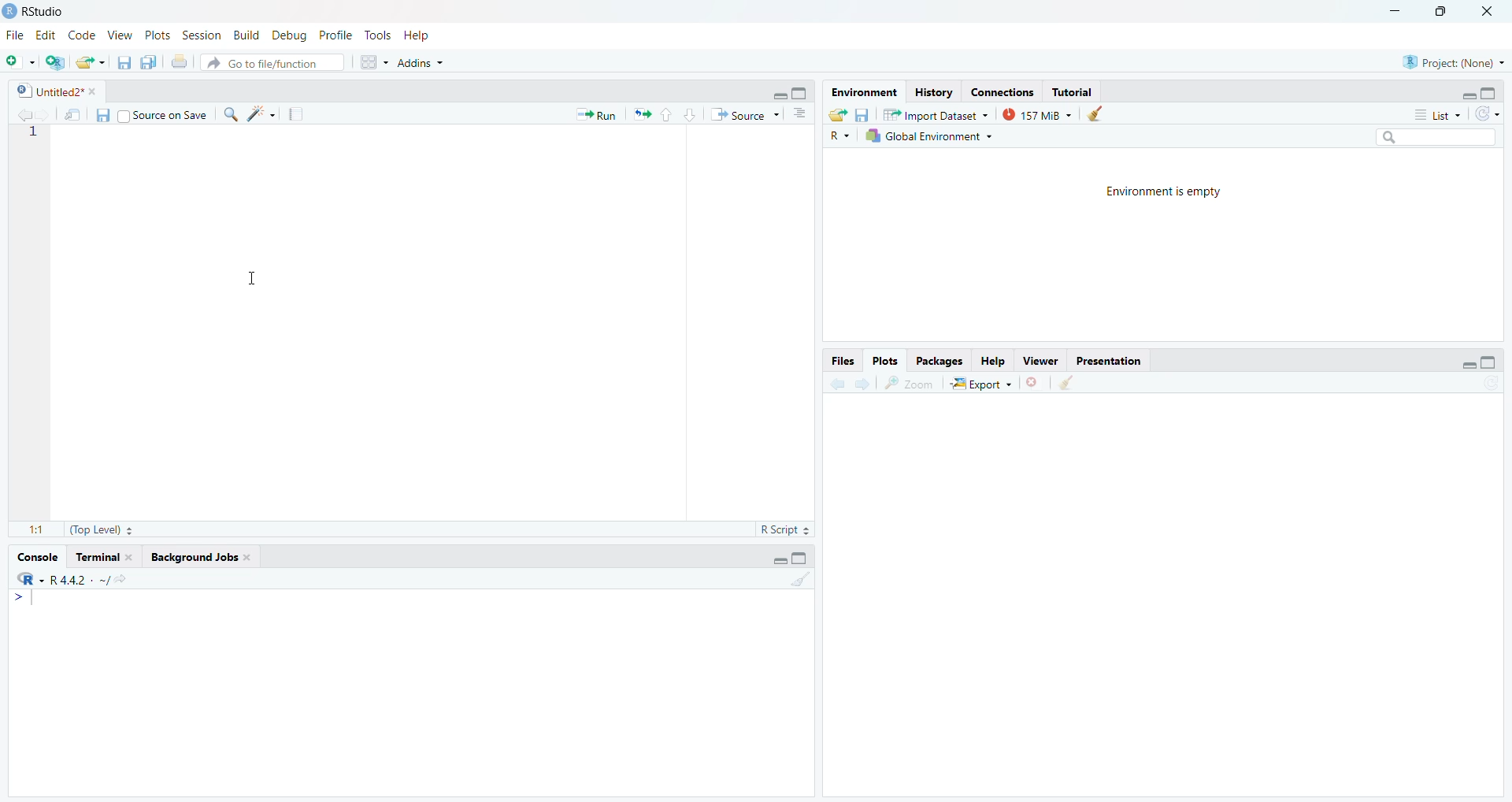 The image size is (1512, 802). Describe the element at coordinates (54, 63) in the screenshot. I see `create a project` at that location.